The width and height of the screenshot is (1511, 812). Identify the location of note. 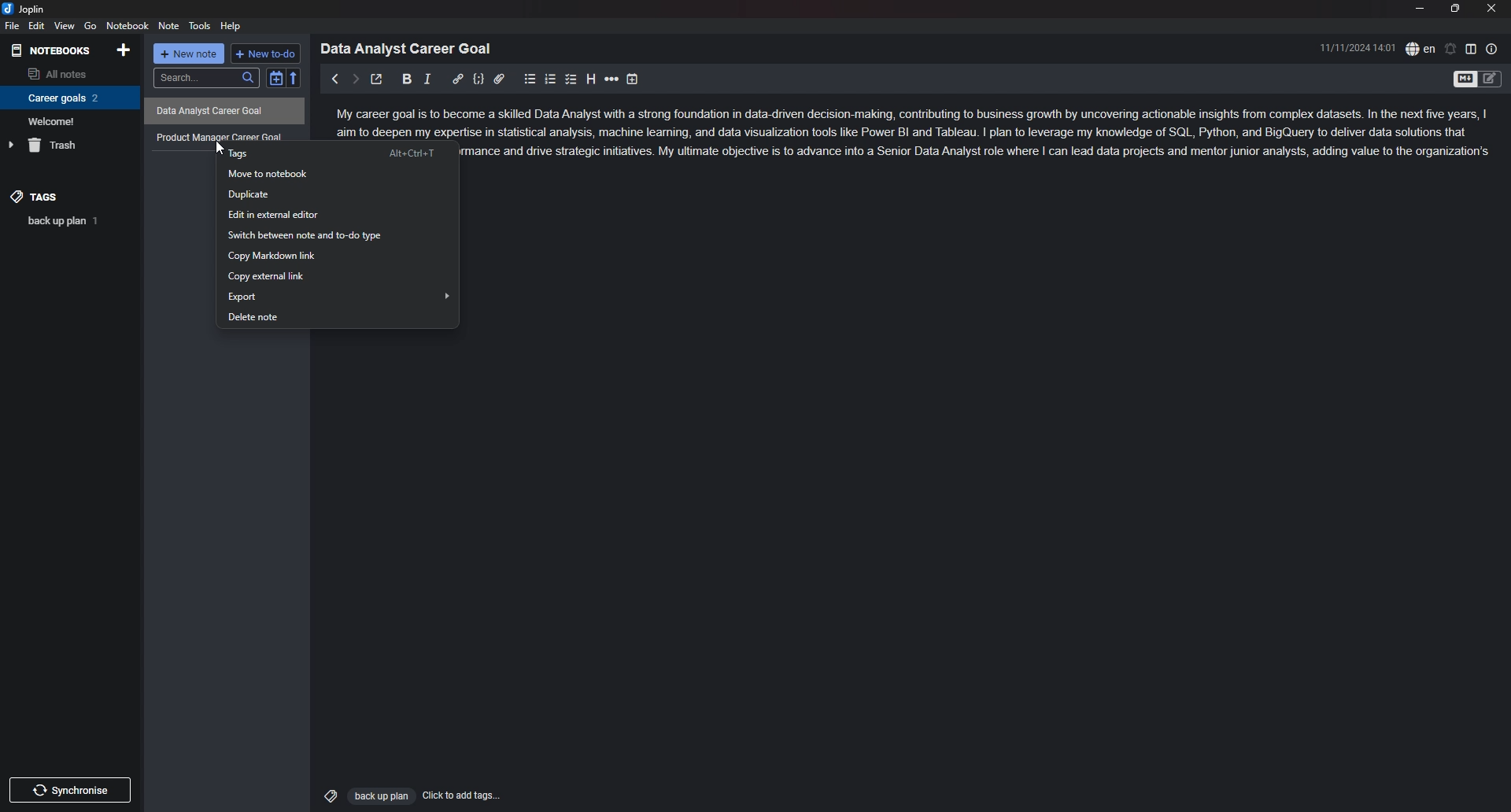
(170, 25).